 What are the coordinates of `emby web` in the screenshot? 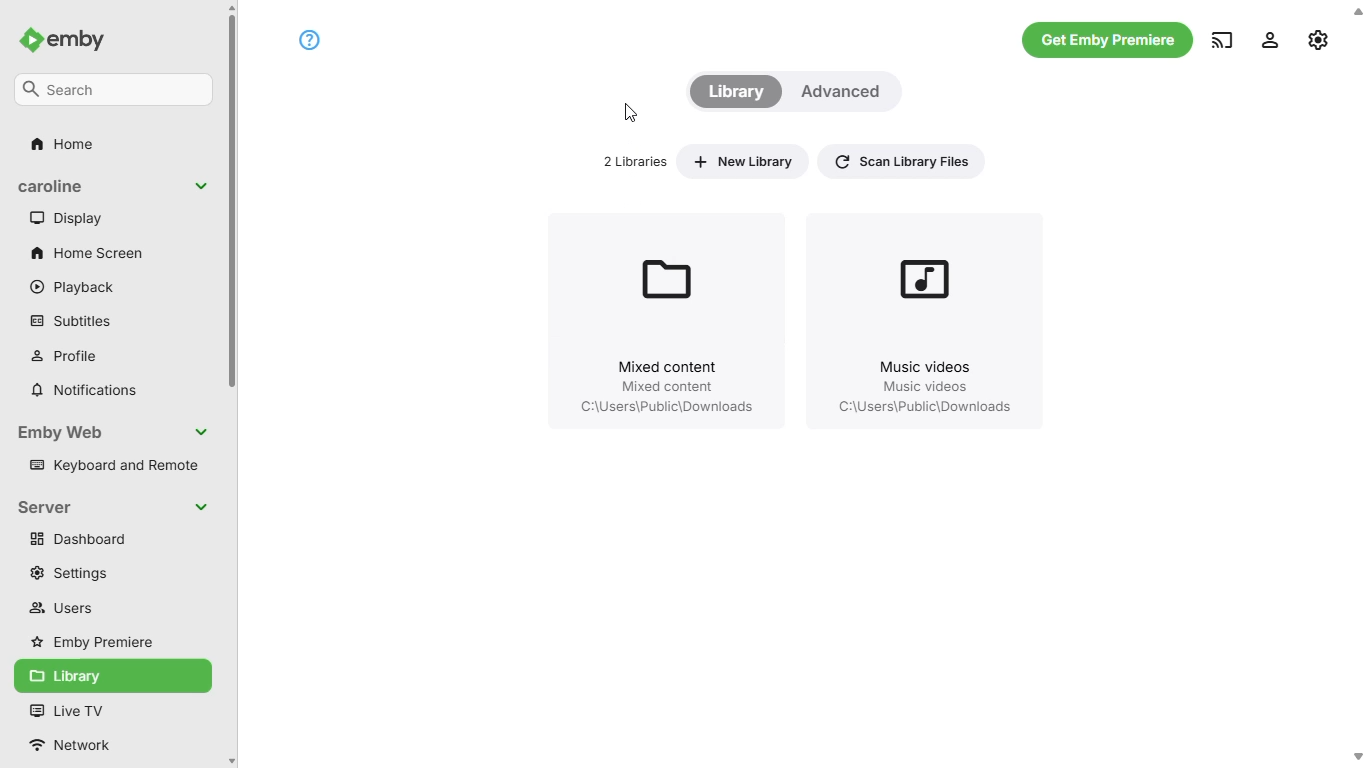 It's located at (115, 432).